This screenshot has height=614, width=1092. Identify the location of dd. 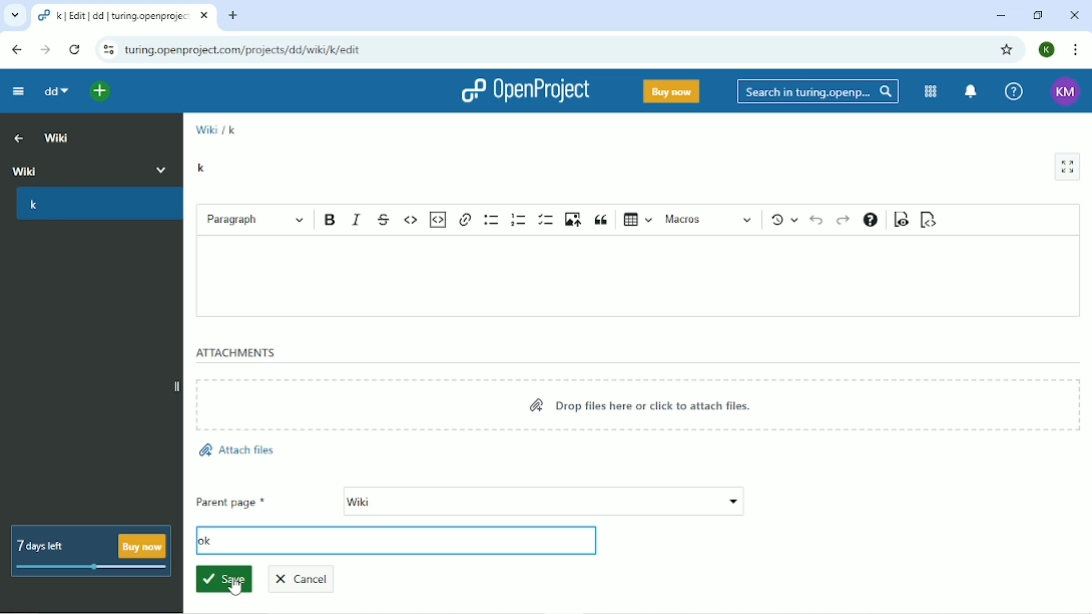
(52, 92).